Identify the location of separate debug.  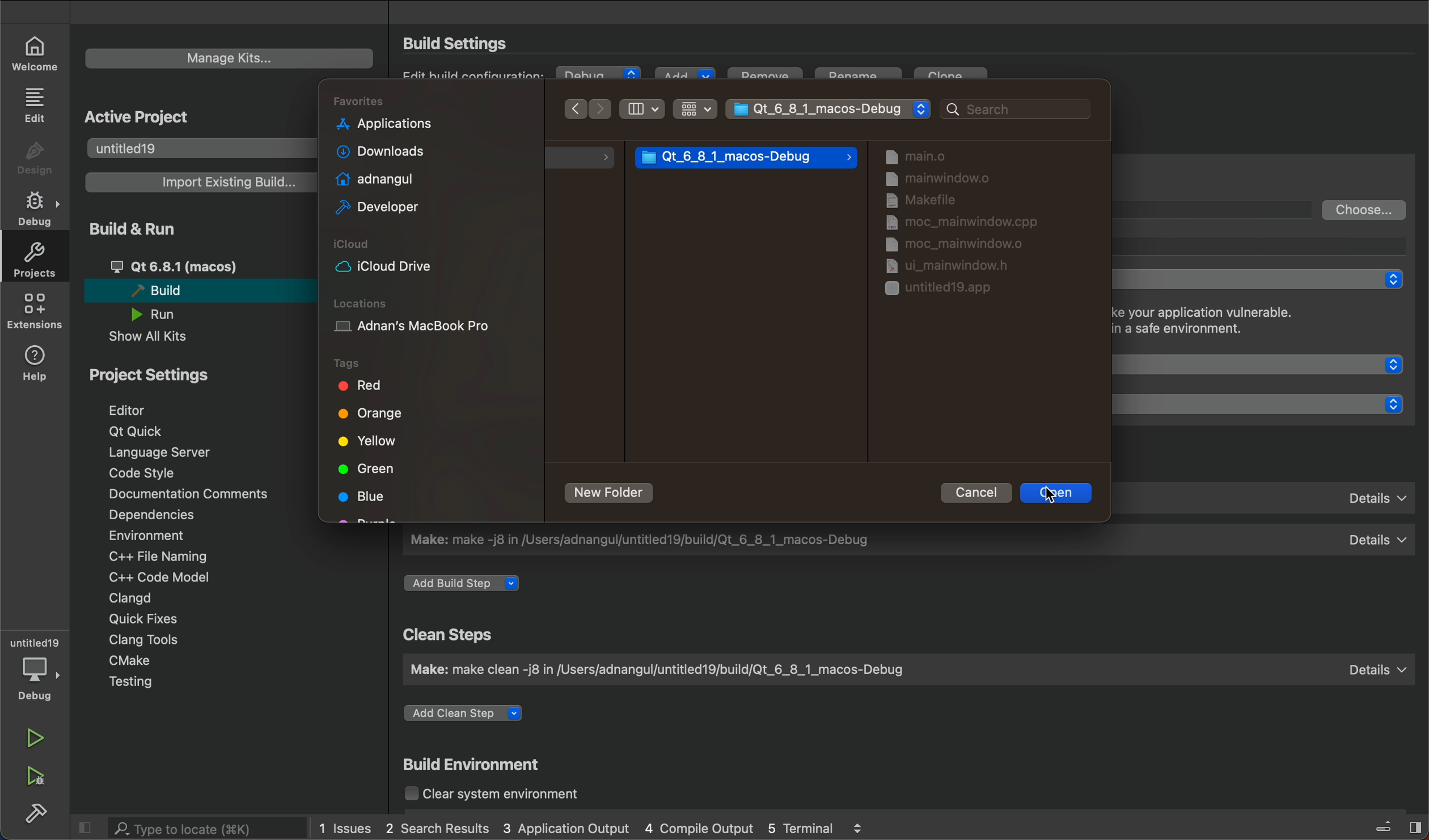
(1263, 279).